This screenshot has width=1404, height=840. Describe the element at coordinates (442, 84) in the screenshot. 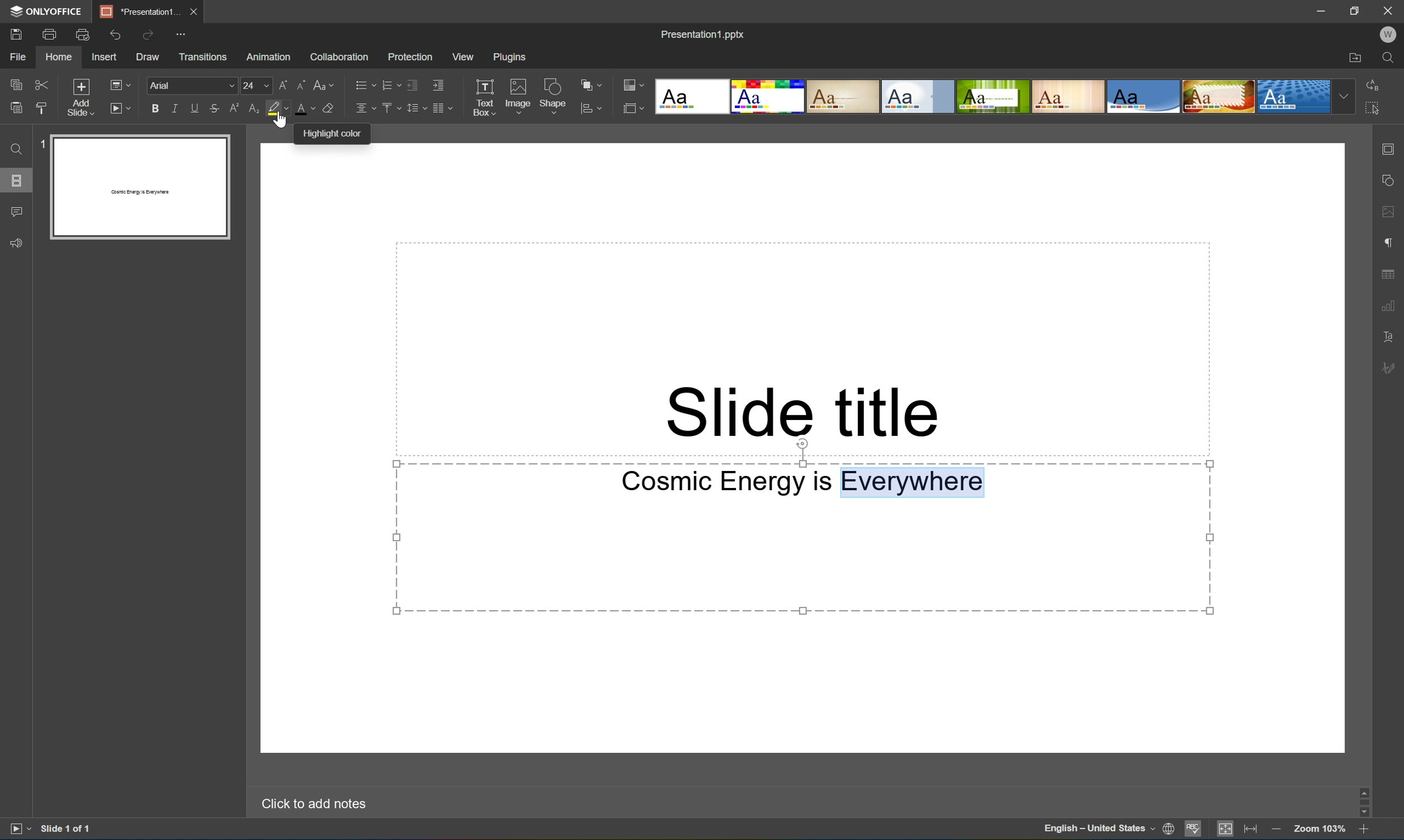

I see `Increase indent` at that location.